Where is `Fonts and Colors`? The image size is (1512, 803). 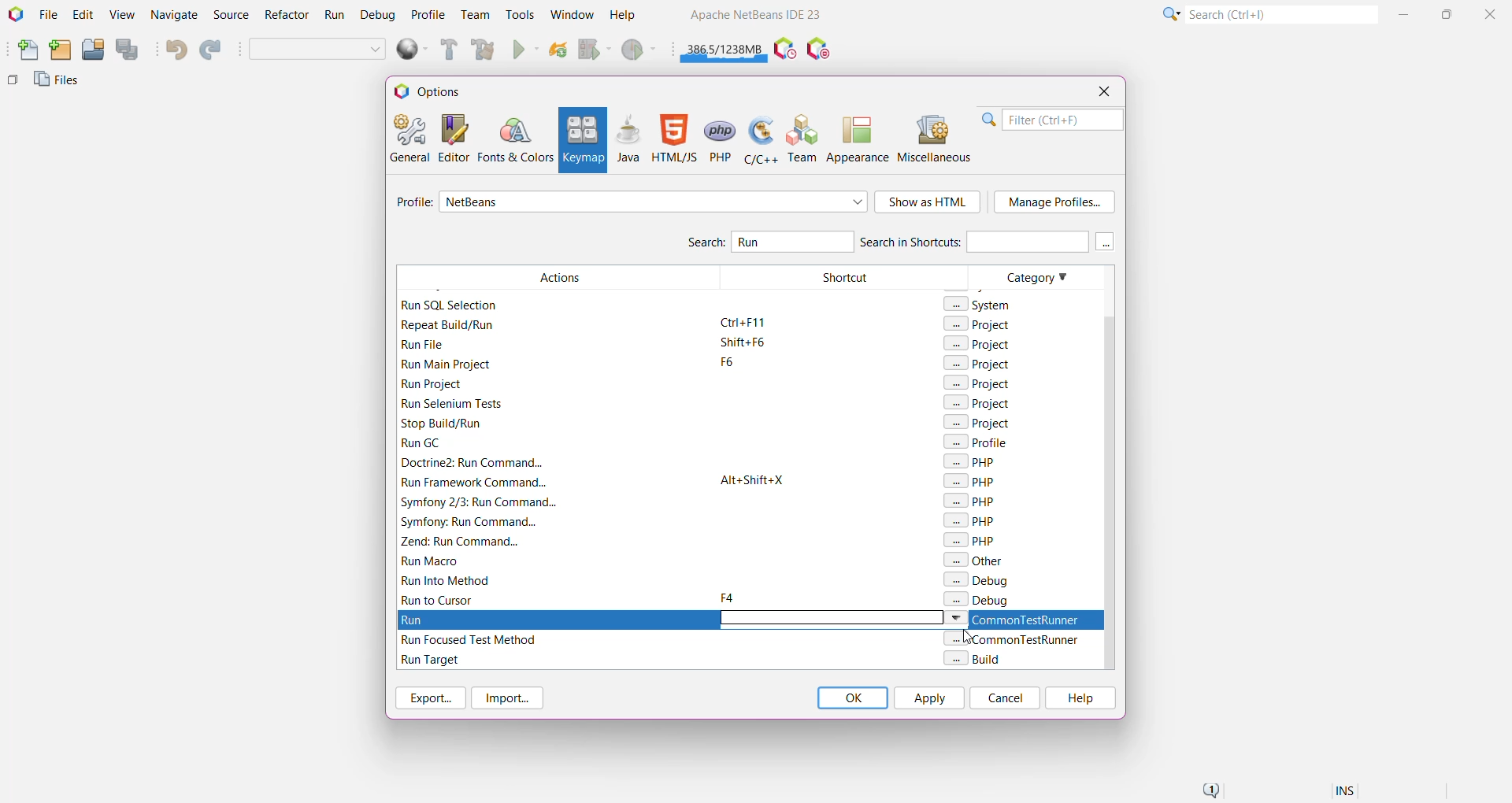
Fonts and Colors is located at coordinates (515, 139).